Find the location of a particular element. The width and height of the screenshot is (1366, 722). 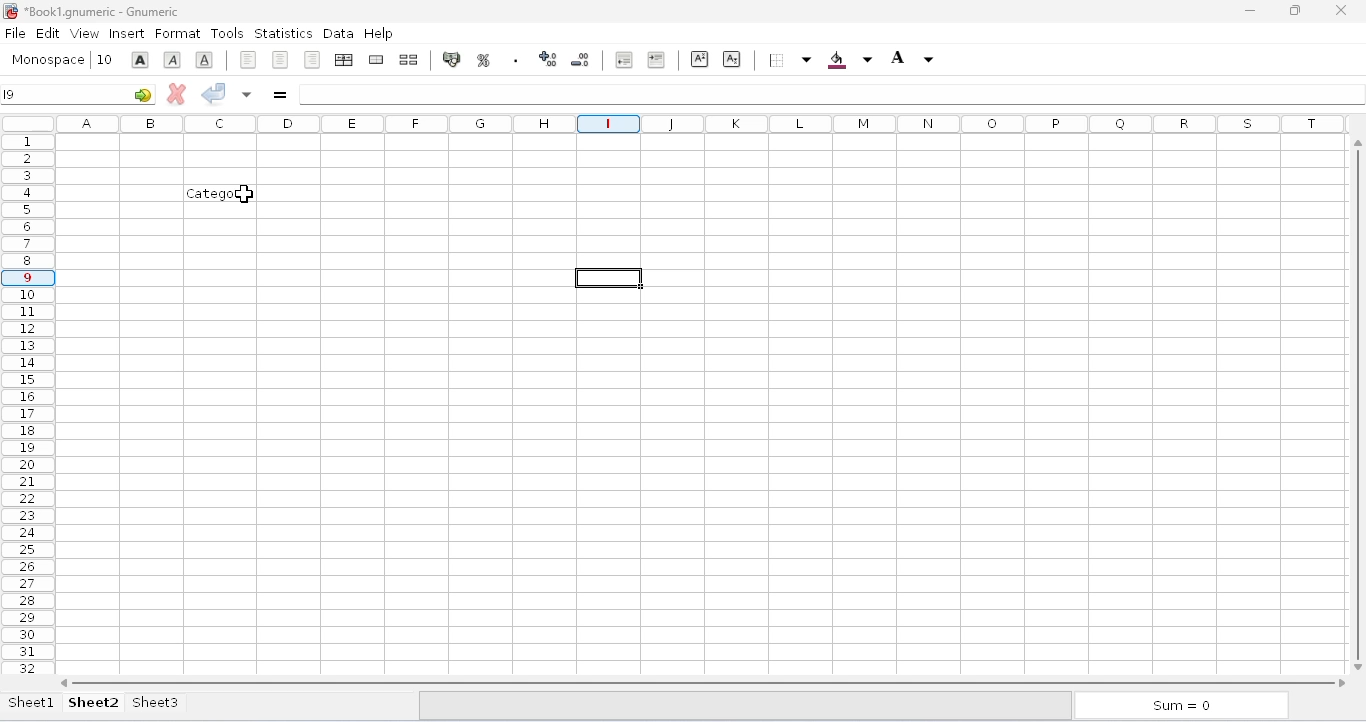

decrease the number of decimals displayed is located at coordinates (581, 59).